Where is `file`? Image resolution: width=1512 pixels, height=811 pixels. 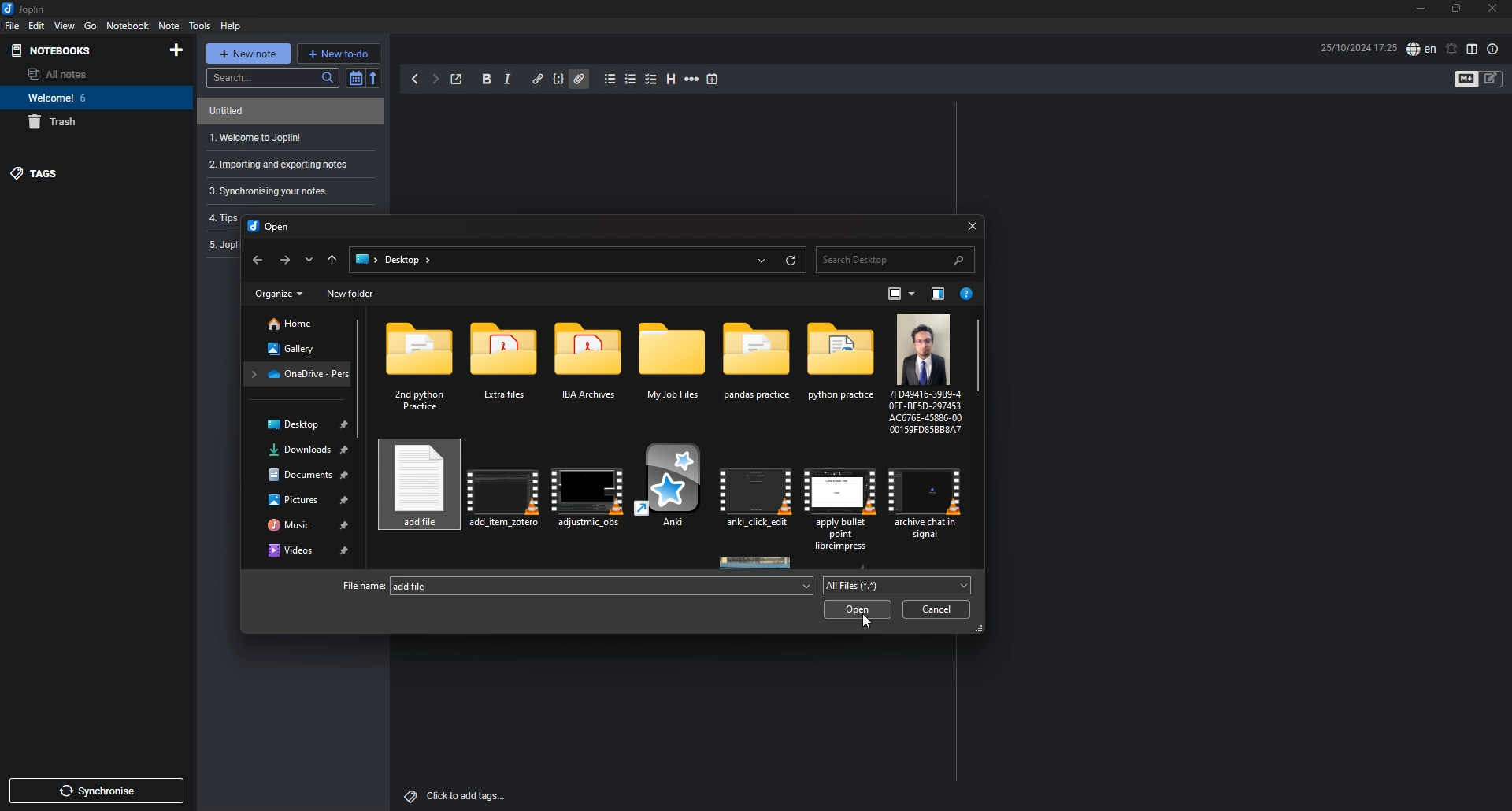
file is located at coordinates (502, 488).